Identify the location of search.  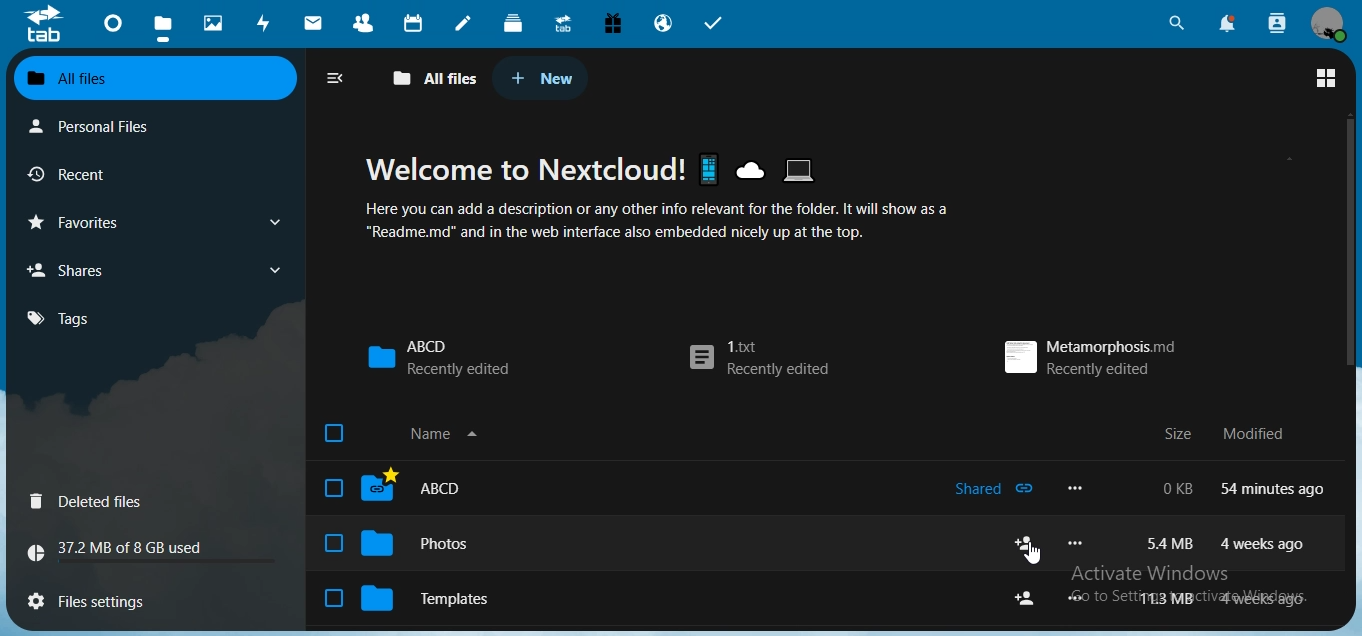
(1174, 24).